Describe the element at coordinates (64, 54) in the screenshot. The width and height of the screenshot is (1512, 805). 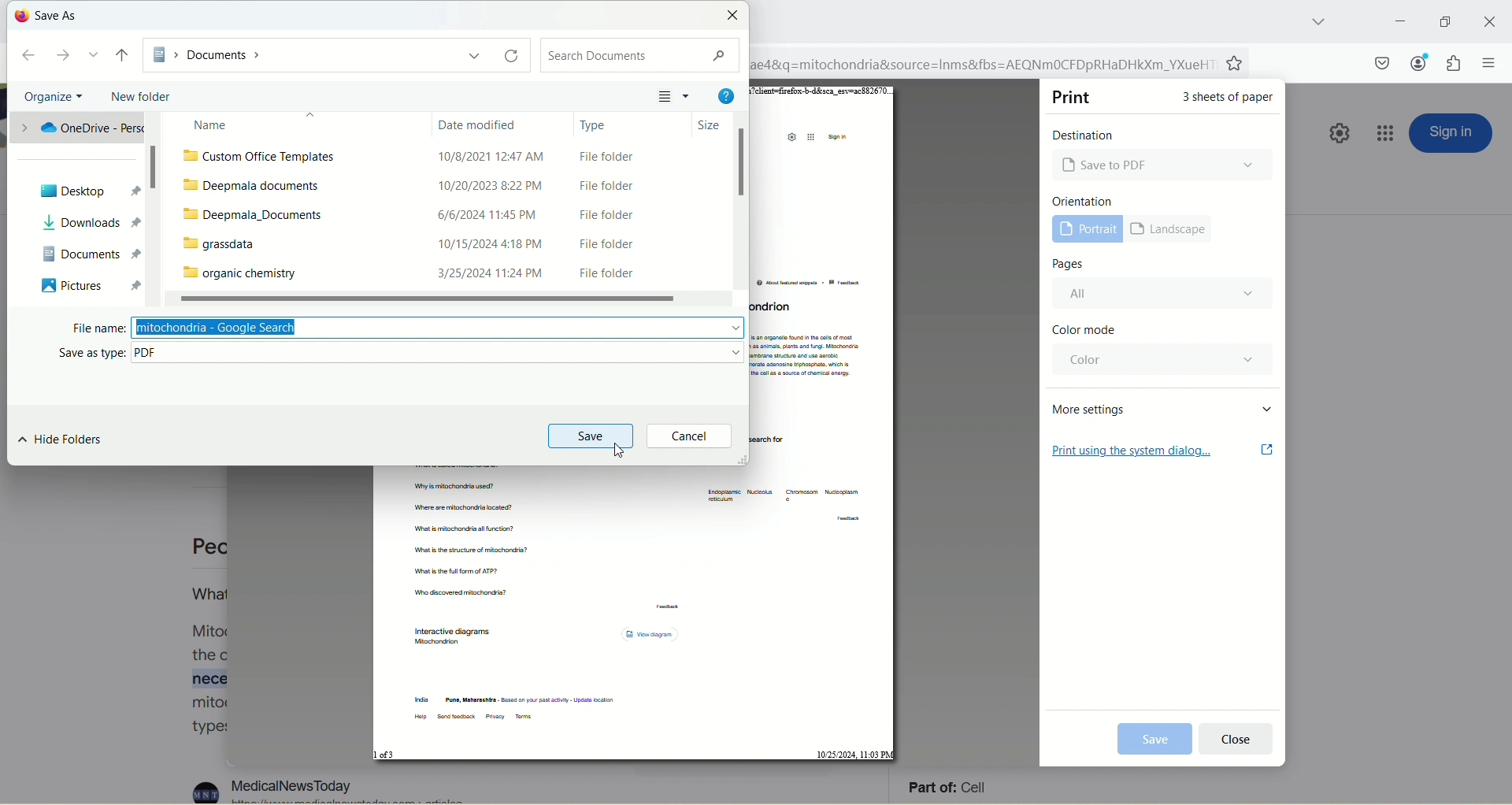
I see `forward to` at that location.